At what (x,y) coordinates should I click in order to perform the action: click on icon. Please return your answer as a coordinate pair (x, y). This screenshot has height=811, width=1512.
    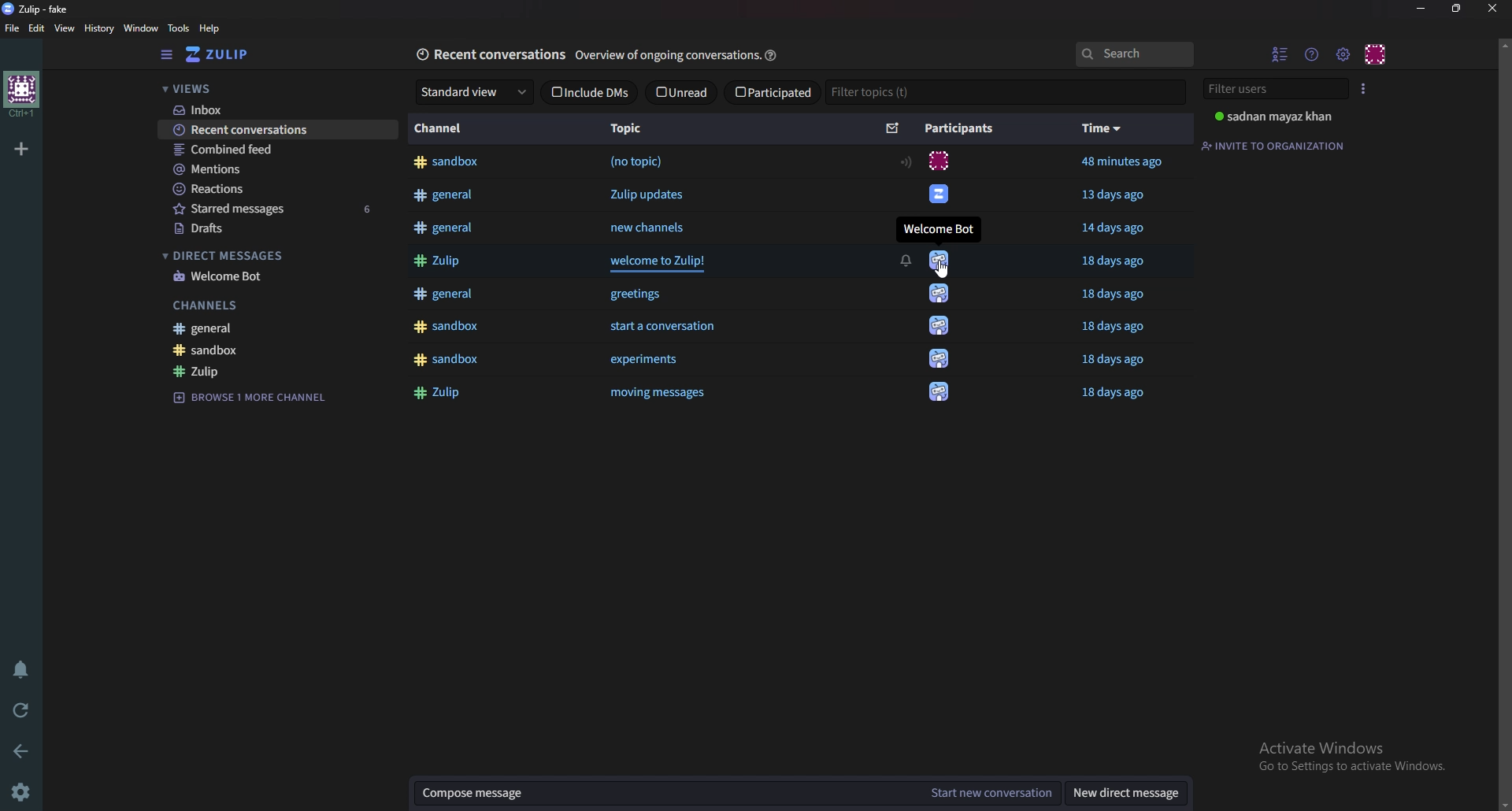
    Looking at the image, I should click on (939, 357).